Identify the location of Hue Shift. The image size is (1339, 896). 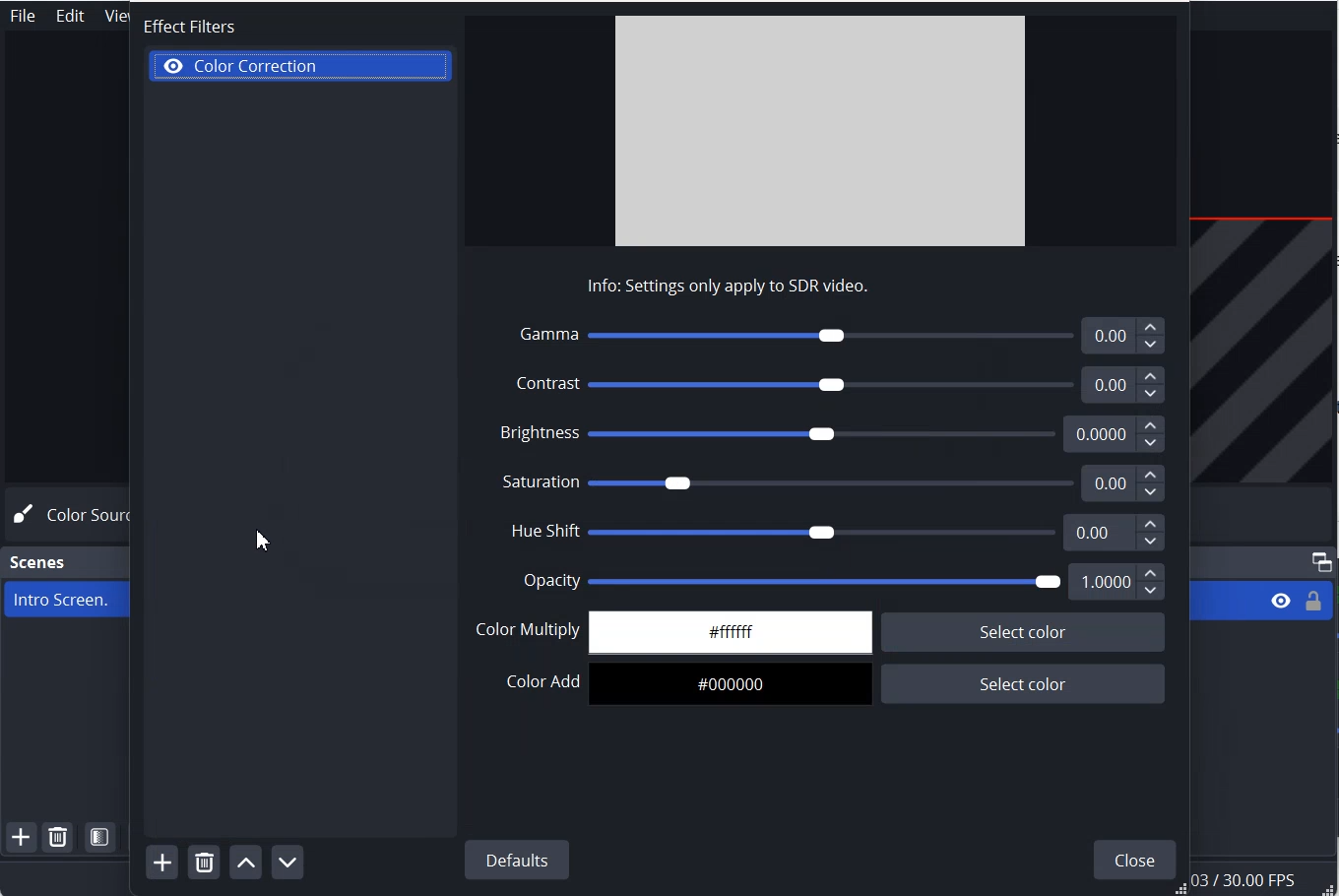
(836, 532).